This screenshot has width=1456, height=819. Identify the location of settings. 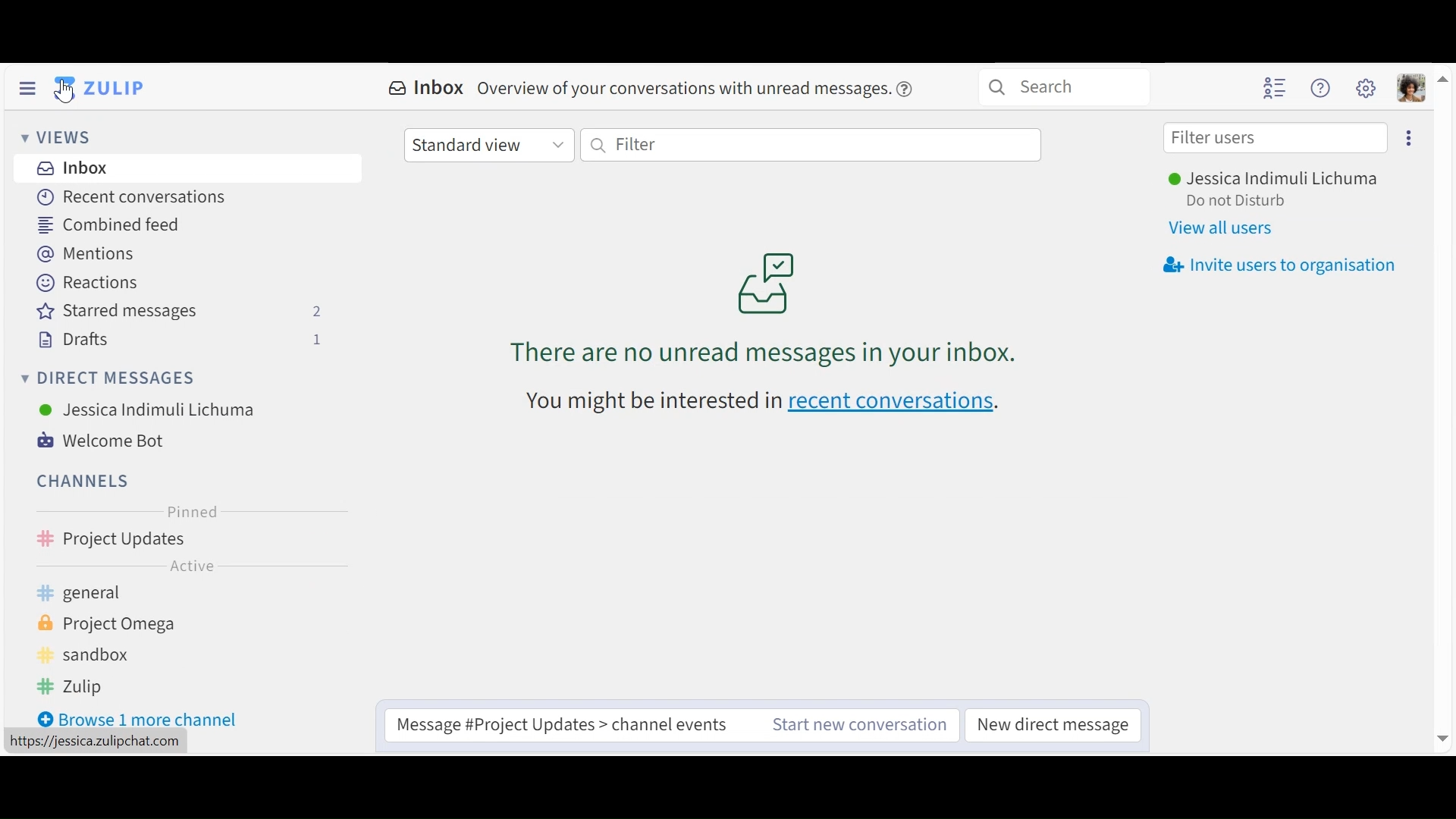
(1367, 90).